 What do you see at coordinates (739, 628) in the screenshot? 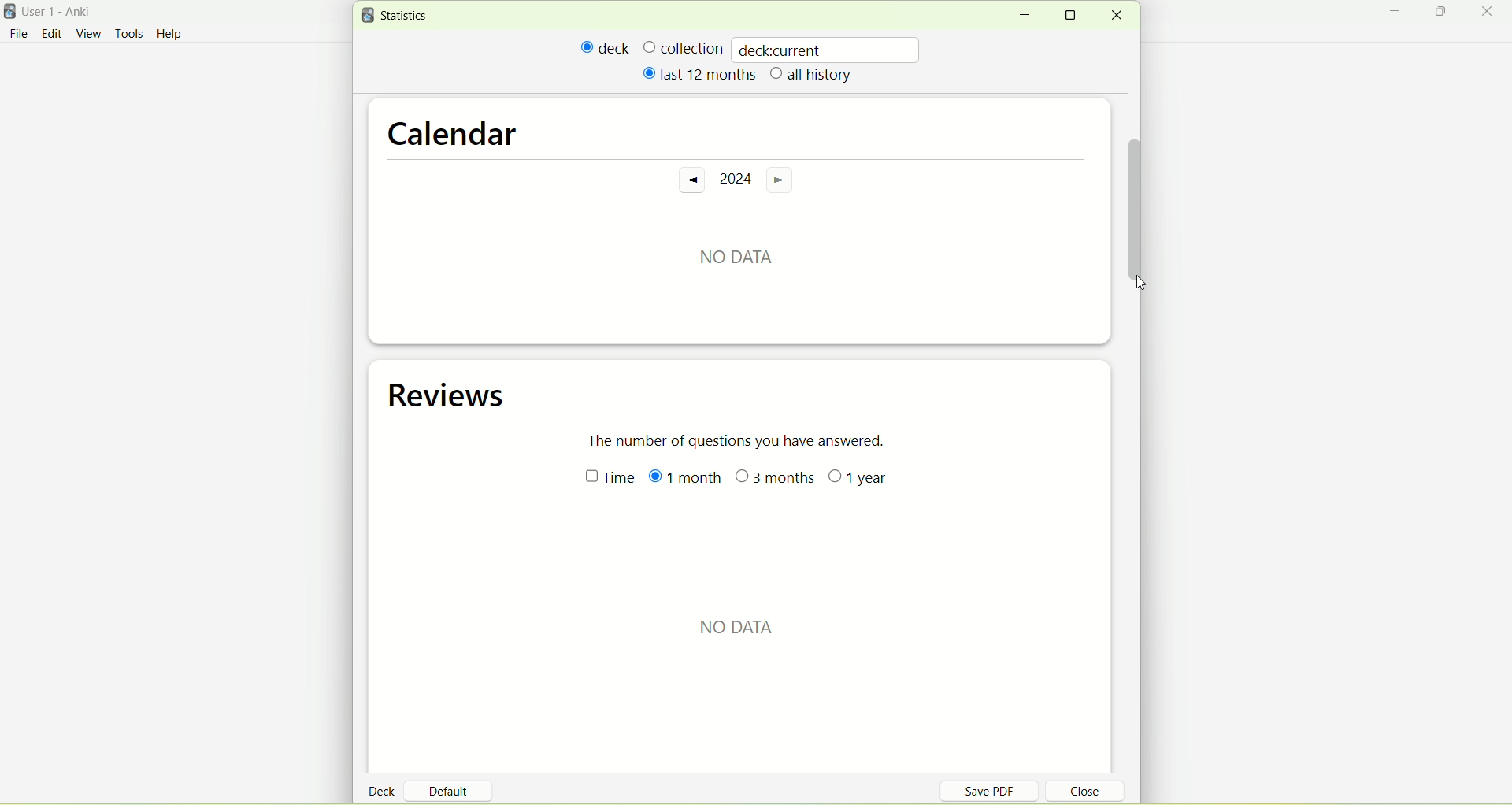
I see `NO DATA` at bounding box center [739, 628].